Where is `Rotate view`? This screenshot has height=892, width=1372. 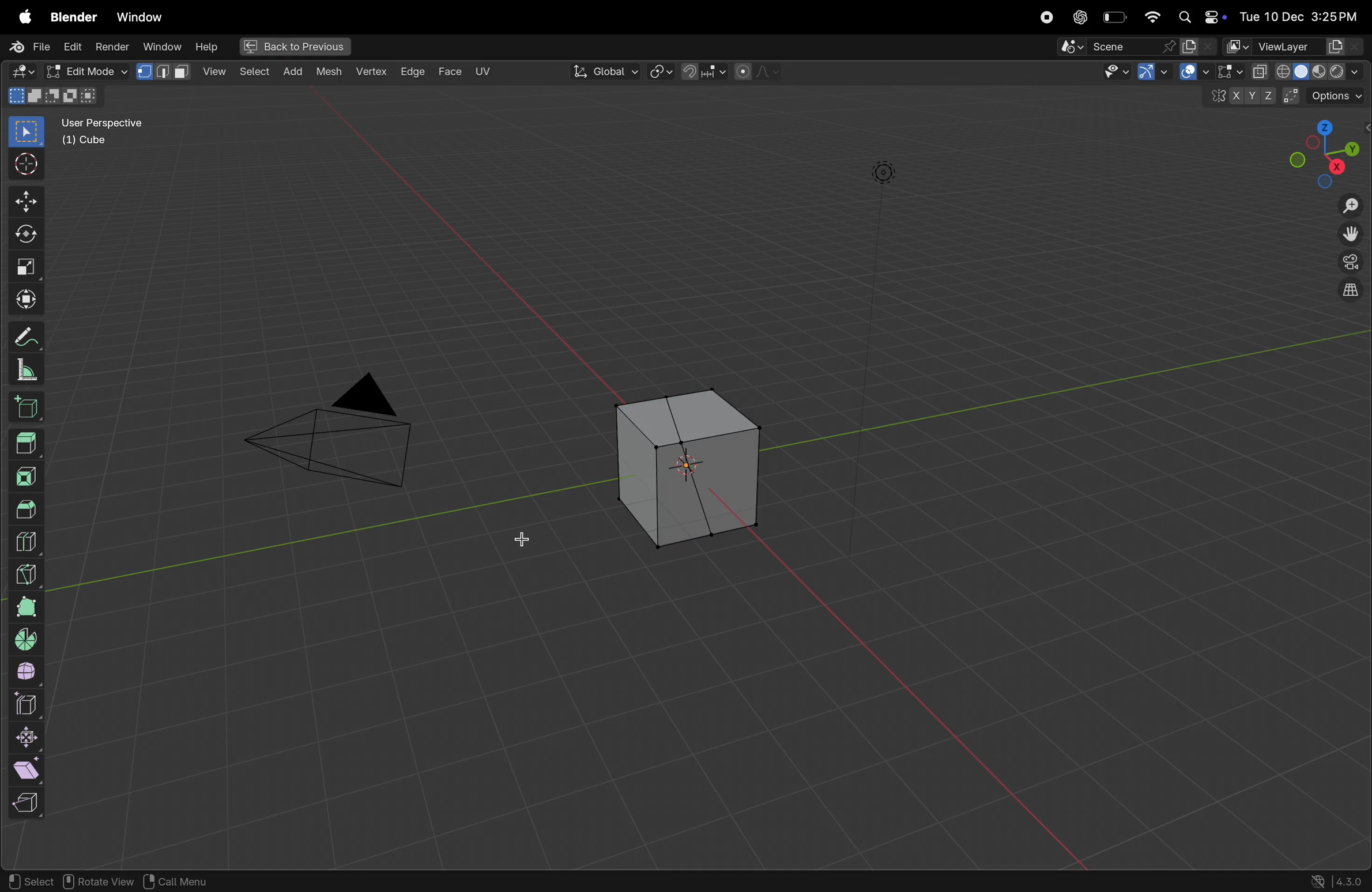 Rotate view is located at coordinates (100, 882).